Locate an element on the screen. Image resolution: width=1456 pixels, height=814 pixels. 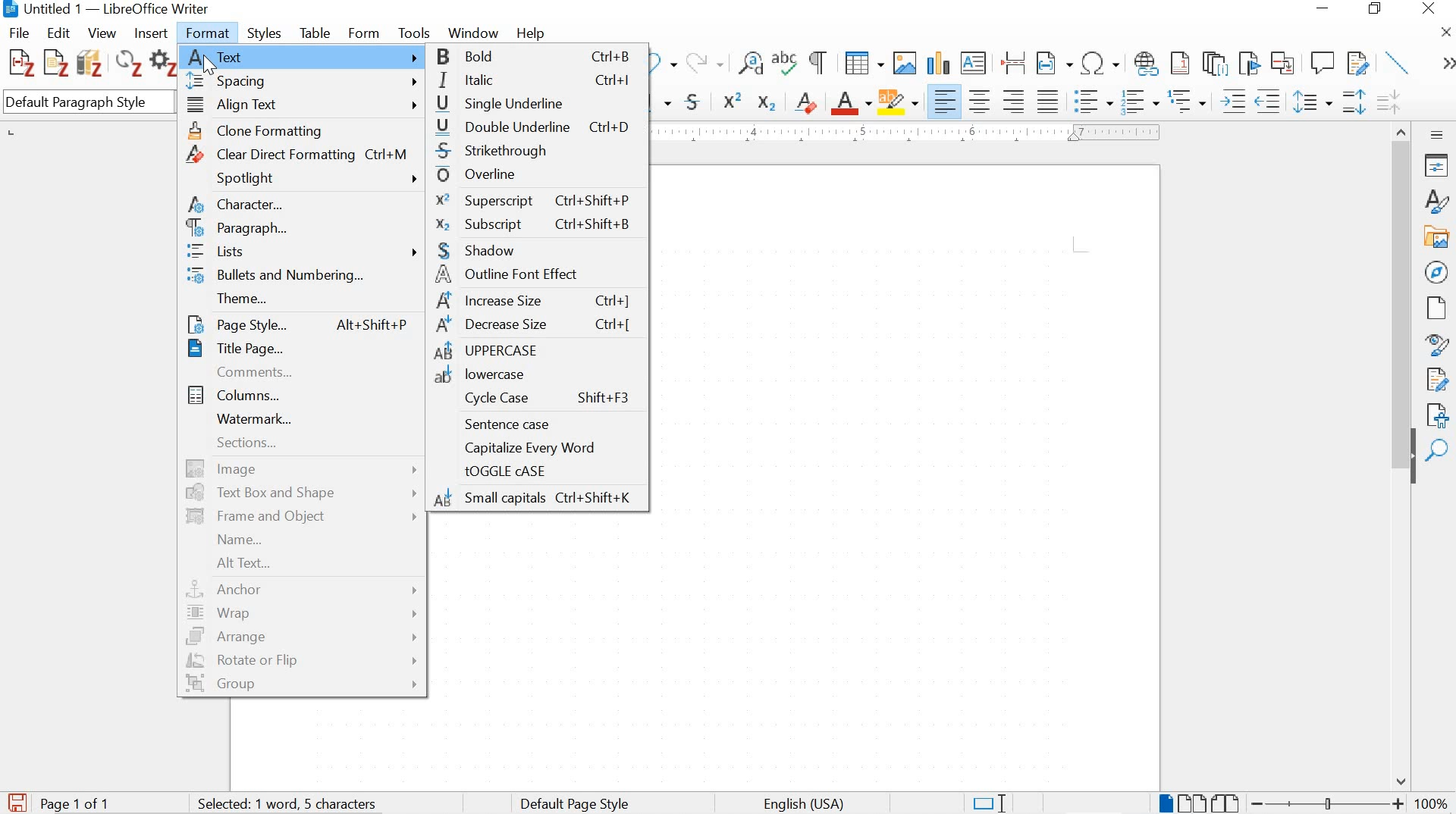
close document is located at coordinates (1446, 31).